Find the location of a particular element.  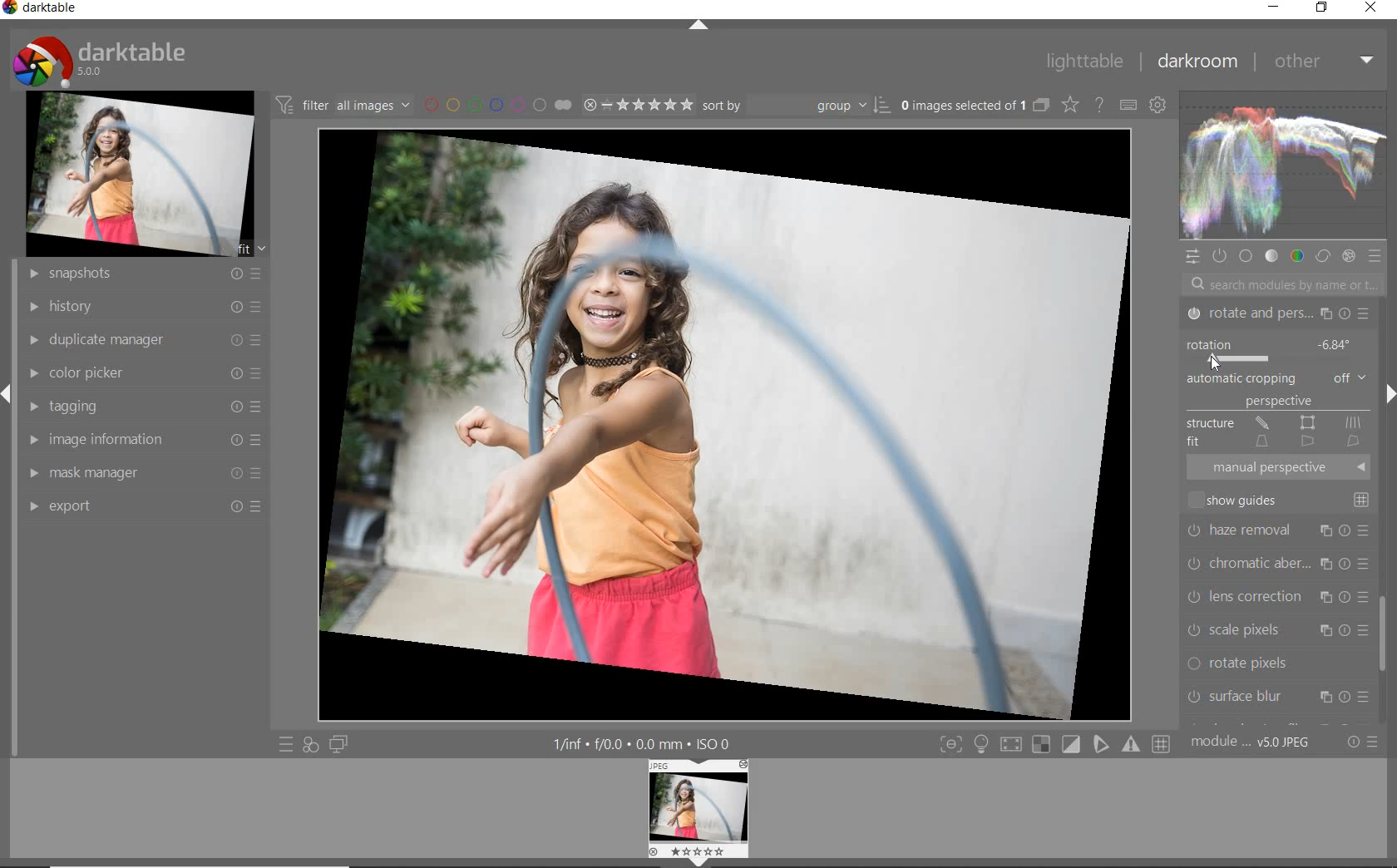

expand/collapse is located at coordinates (697, 27).